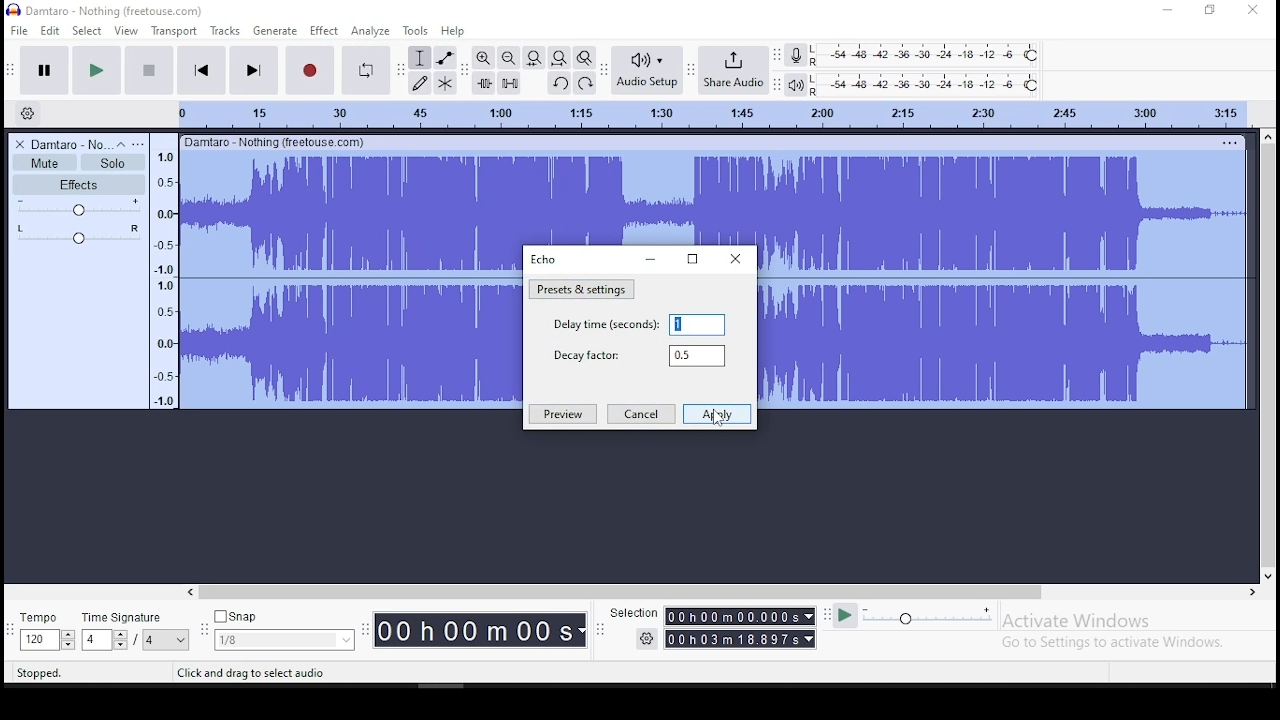 This screenshot has width=1280, height=720. Describe the element at coordinates (42, 673) in the screenshot. I see `Stopped.` at that location.